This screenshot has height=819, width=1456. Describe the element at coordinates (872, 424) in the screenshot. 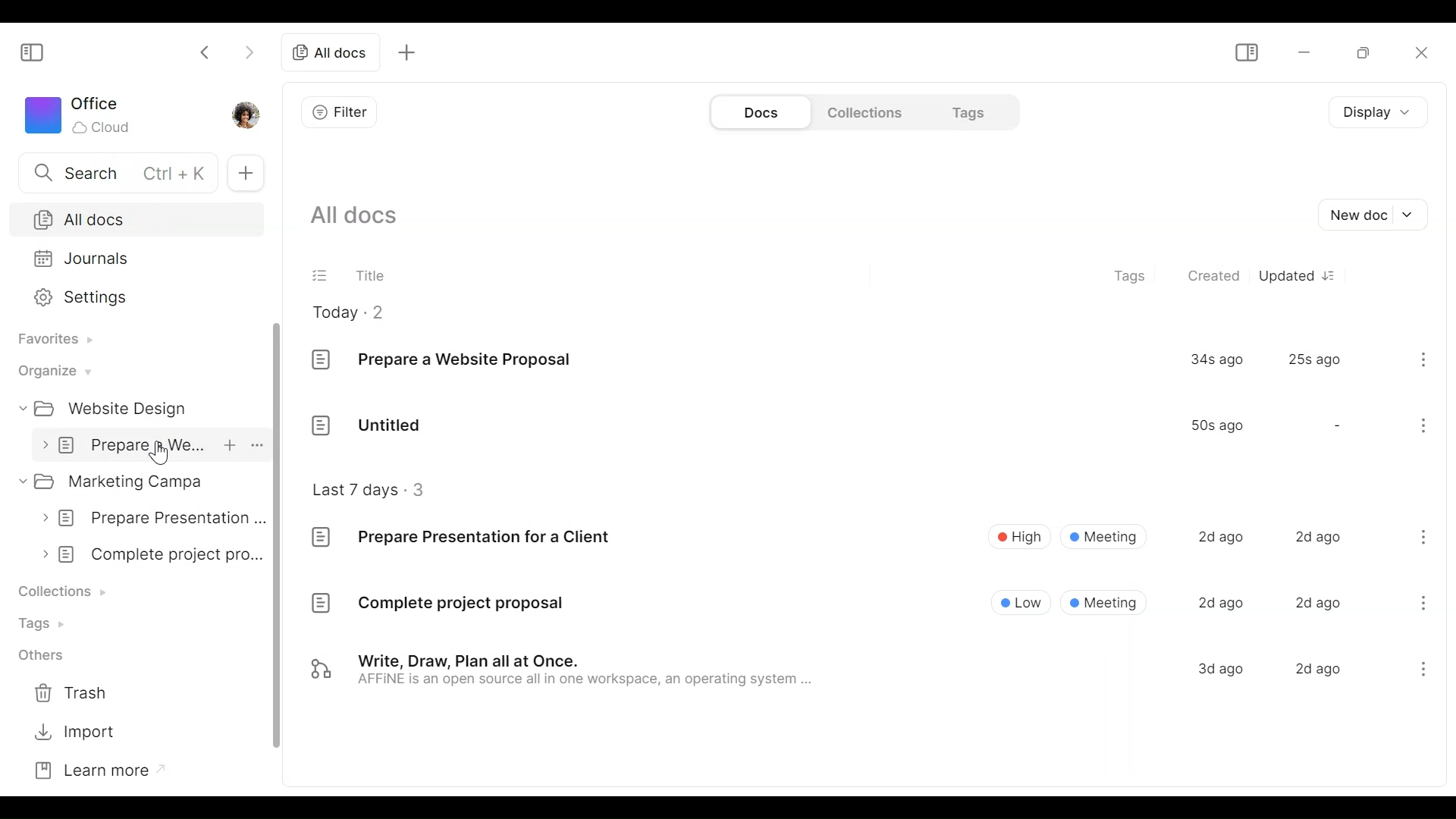

I see `Document` at that location.